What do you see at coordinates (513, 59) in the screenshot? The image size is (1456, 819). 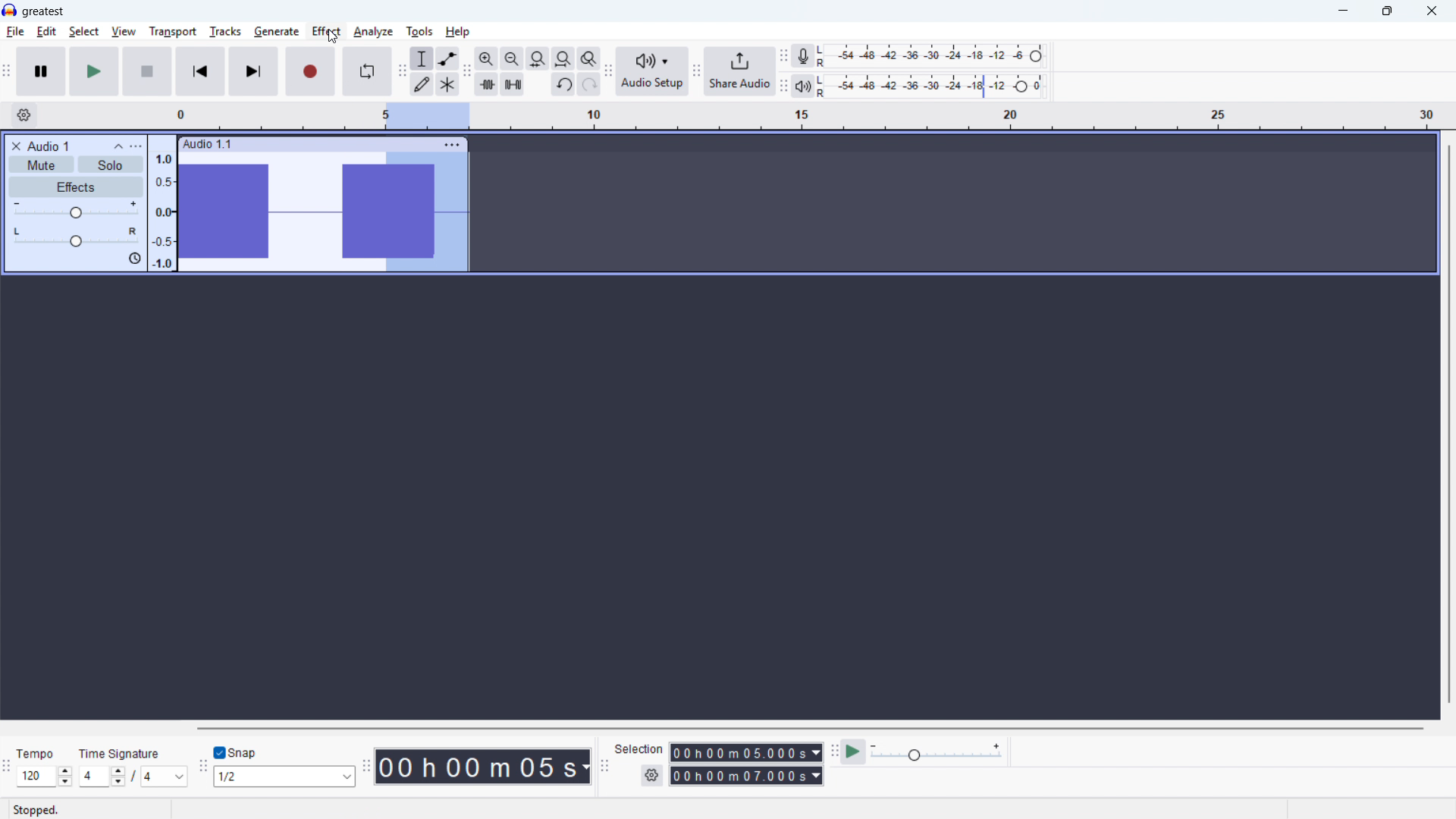 I see `Zoom out ` at bounding box center [513, 59].